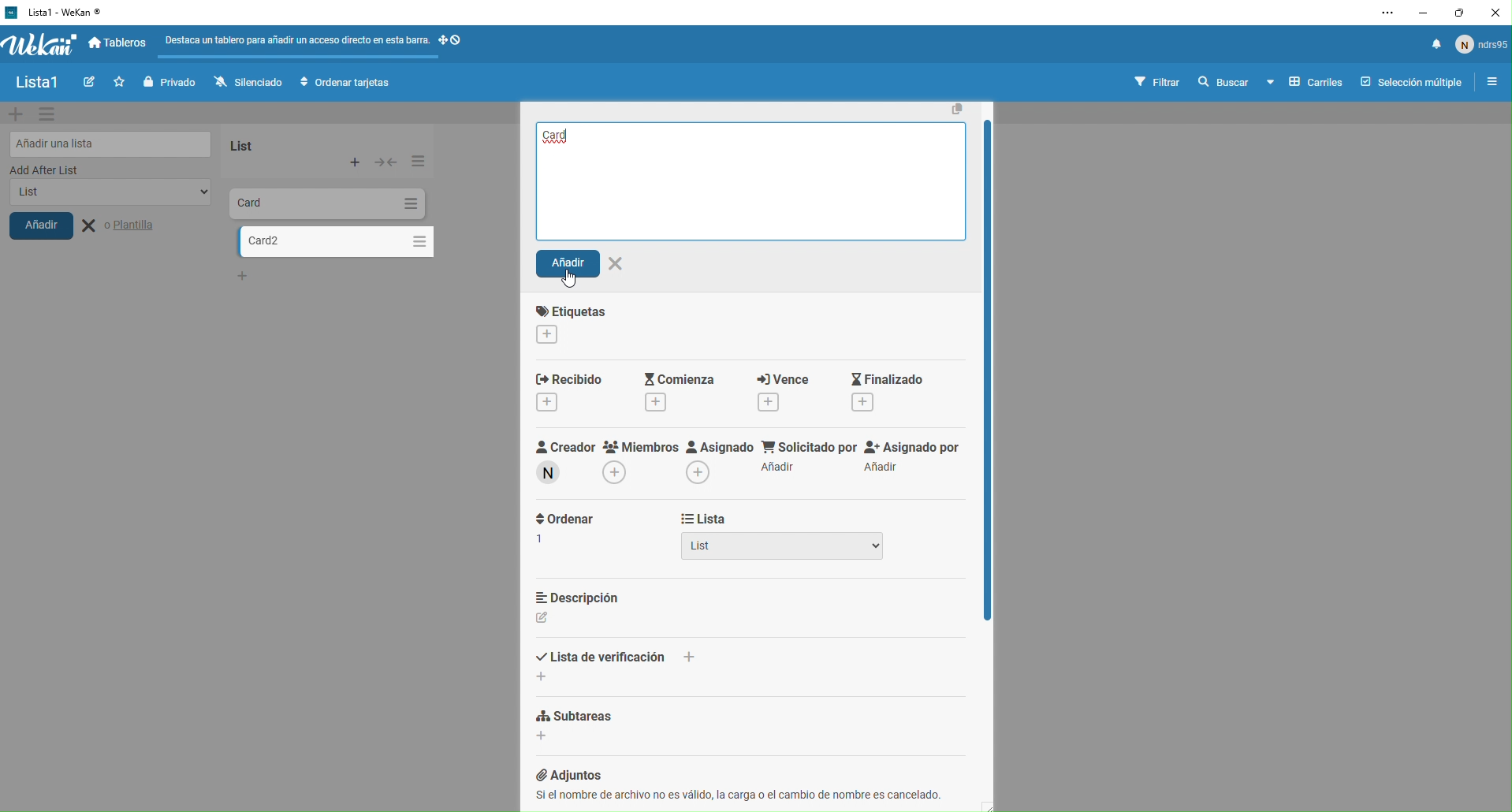 The width and height of the screenshot is (1512, 812). Describe the element at coordinates (914, 458) in the screenshot. I see `Assignado por` at that location.